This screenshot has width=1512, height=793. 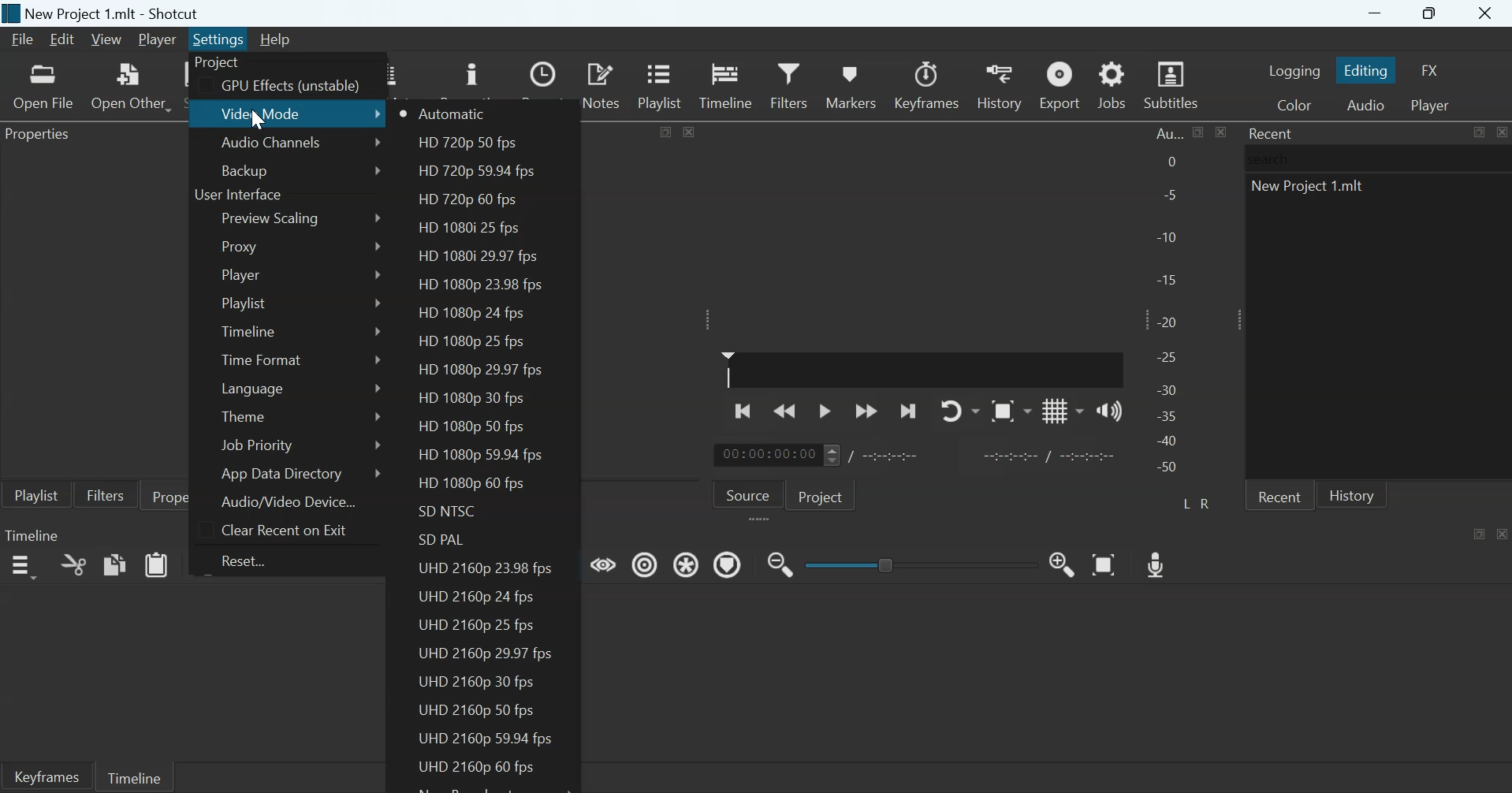 I want to click on Timeline, so click(x=726, y=84).